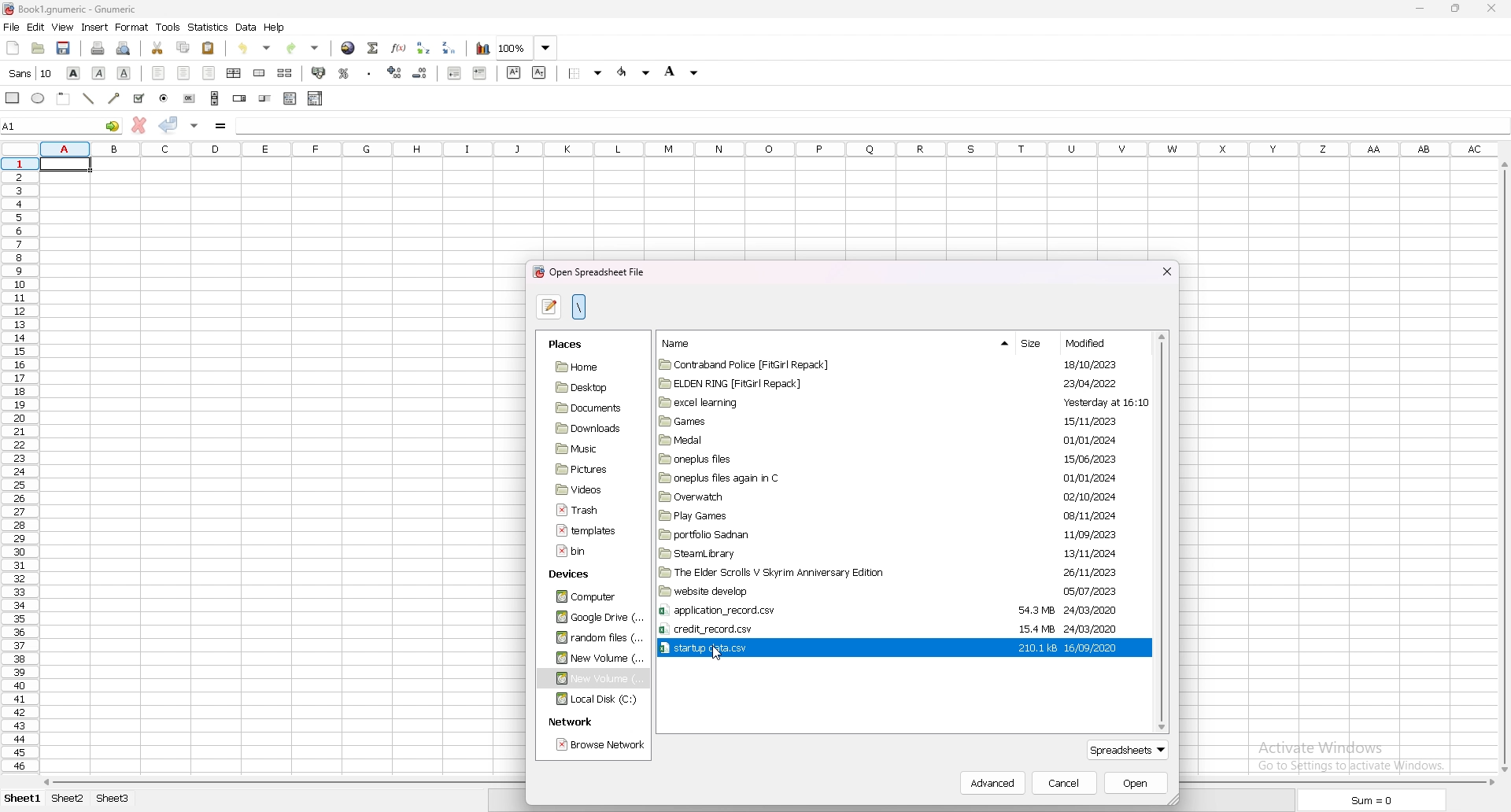 This screenshot has height=812, width=1511. What do you see at coordinates (347, 48) in the screenshot?
I see `hyperlink` at bounding box center [347, 48].